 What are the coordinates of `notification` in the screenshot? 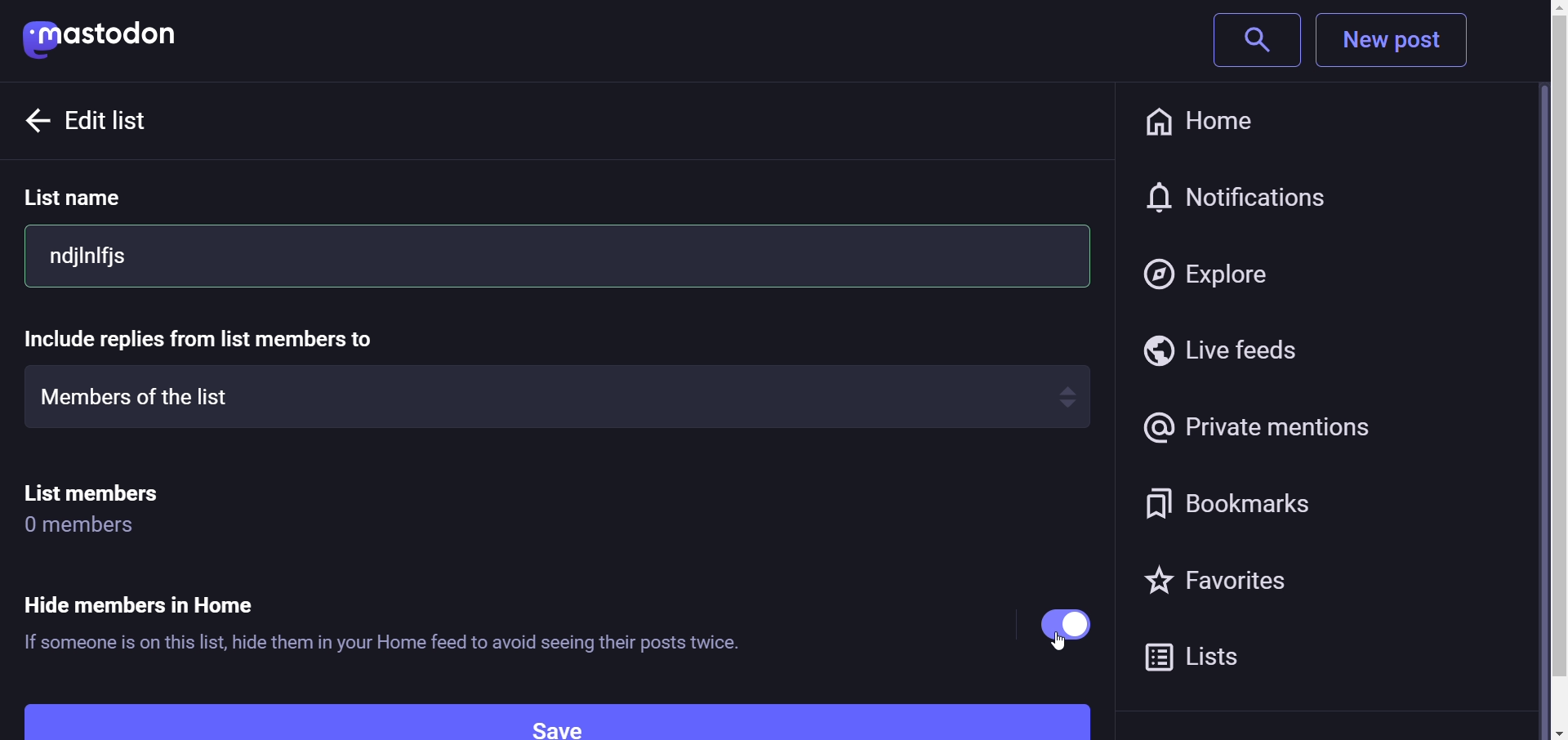 It's located at (1244, 198).